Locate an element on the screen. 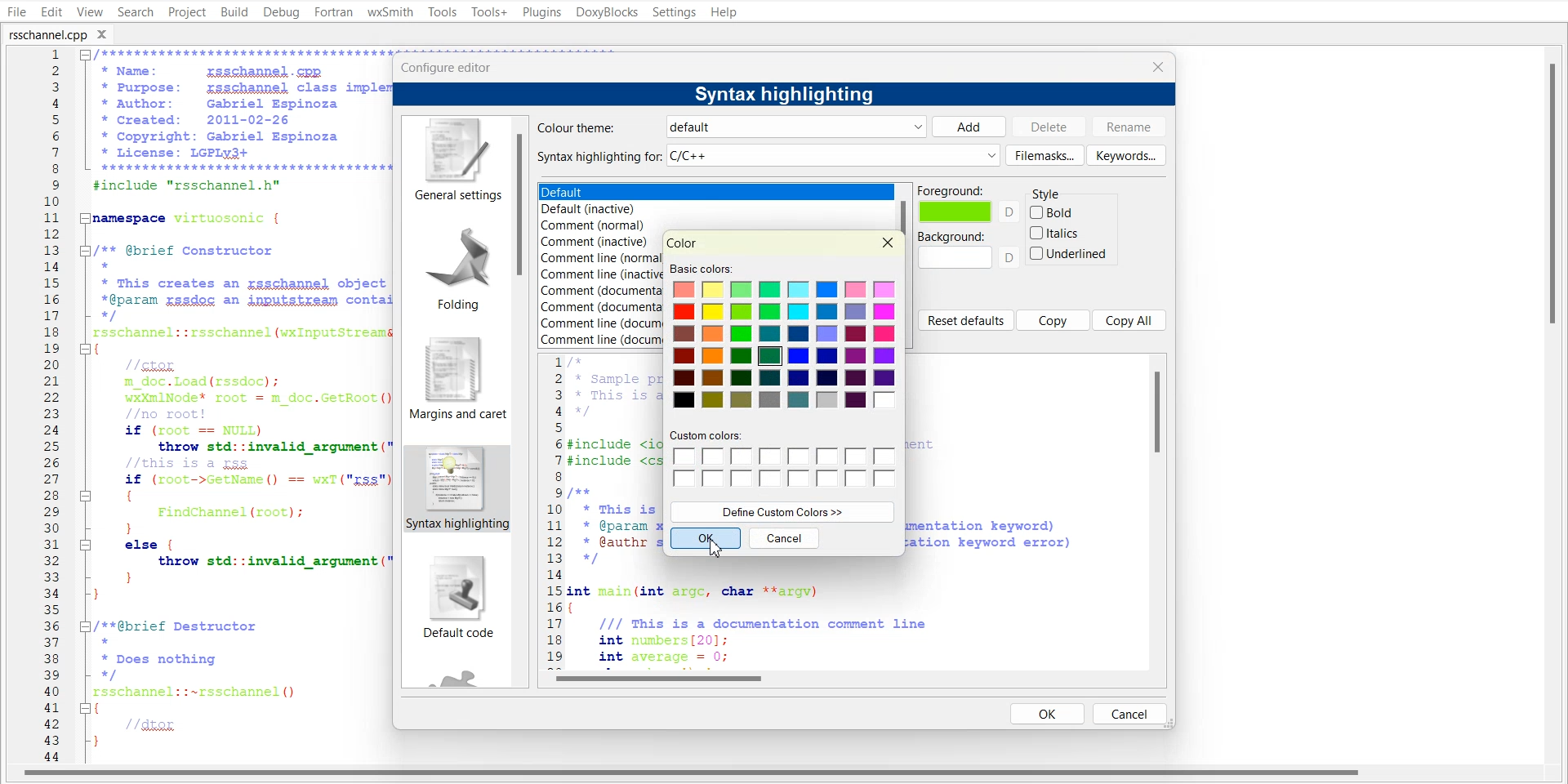 This screenshot has width=1568, height=784. Line Number is located at coordinates (39, 406).